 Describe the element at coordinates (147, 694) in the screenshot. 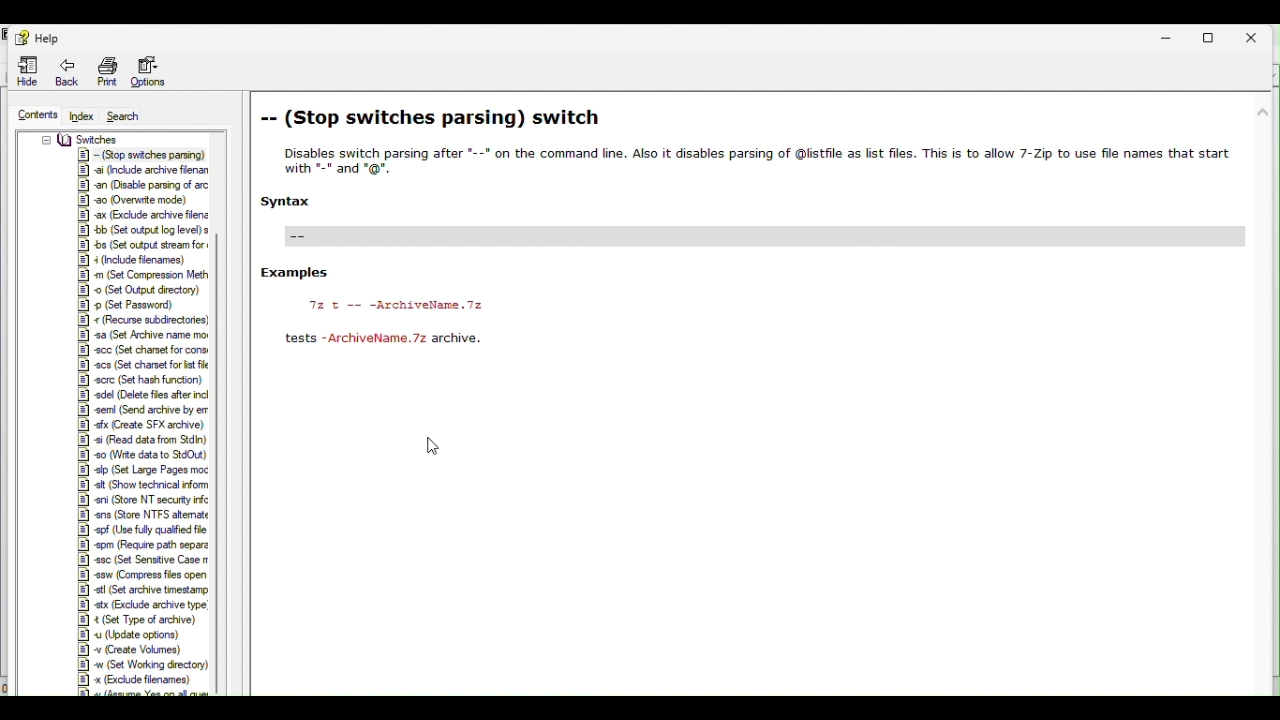

I see `` at that location.